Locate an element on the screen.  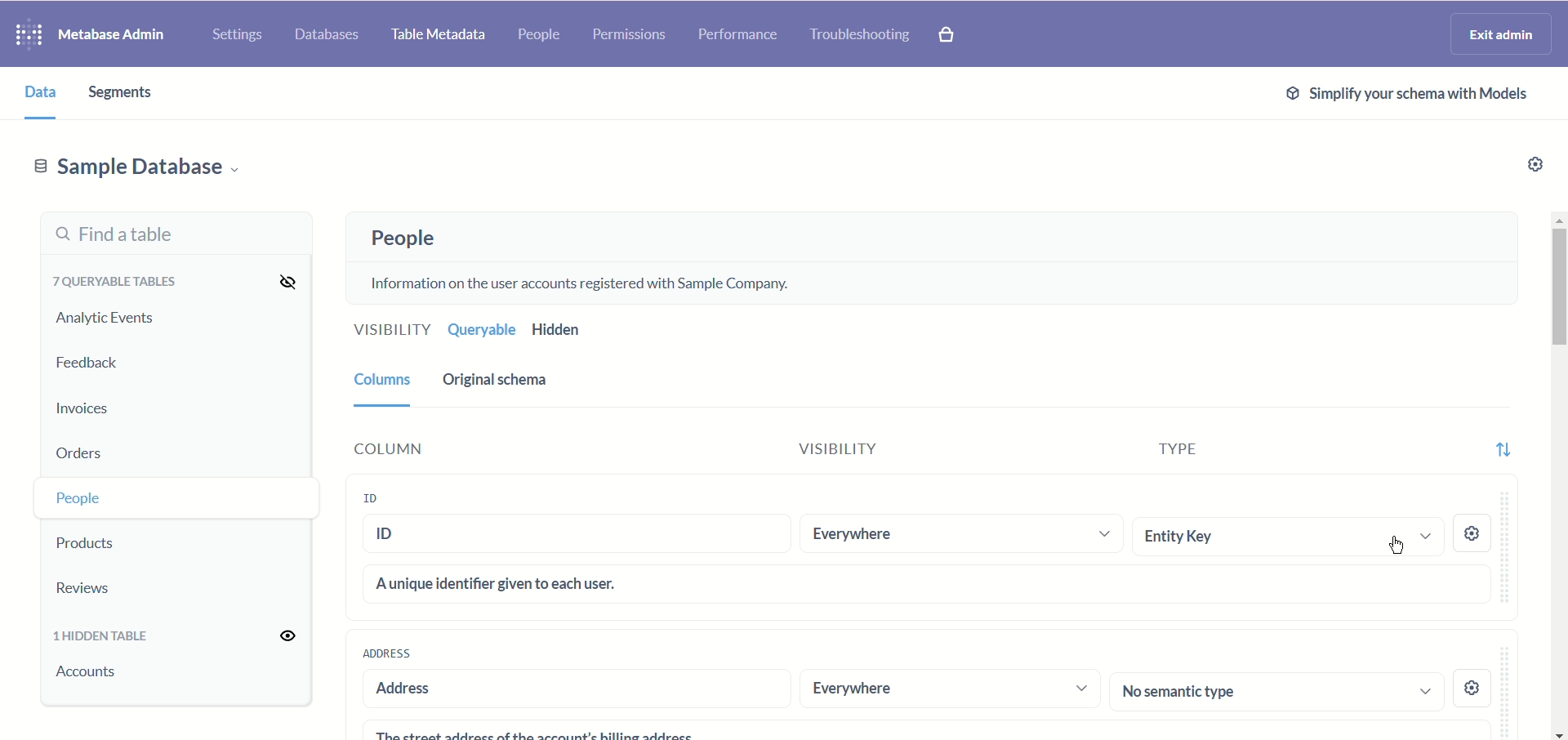
data is located at coordinates (33, 91).